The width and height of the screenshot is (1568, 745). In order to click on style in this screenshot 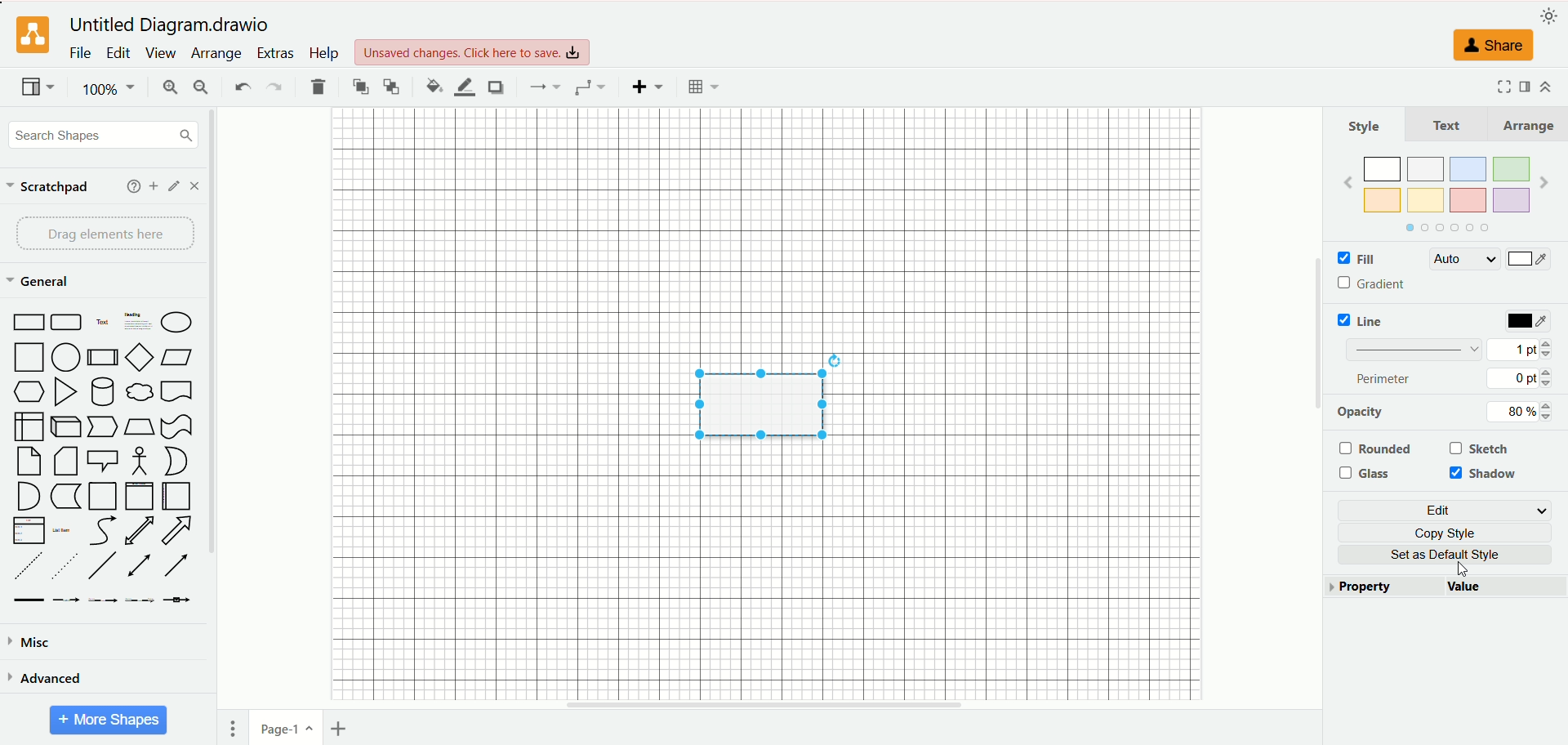, I will do `click(1365, 126)`.